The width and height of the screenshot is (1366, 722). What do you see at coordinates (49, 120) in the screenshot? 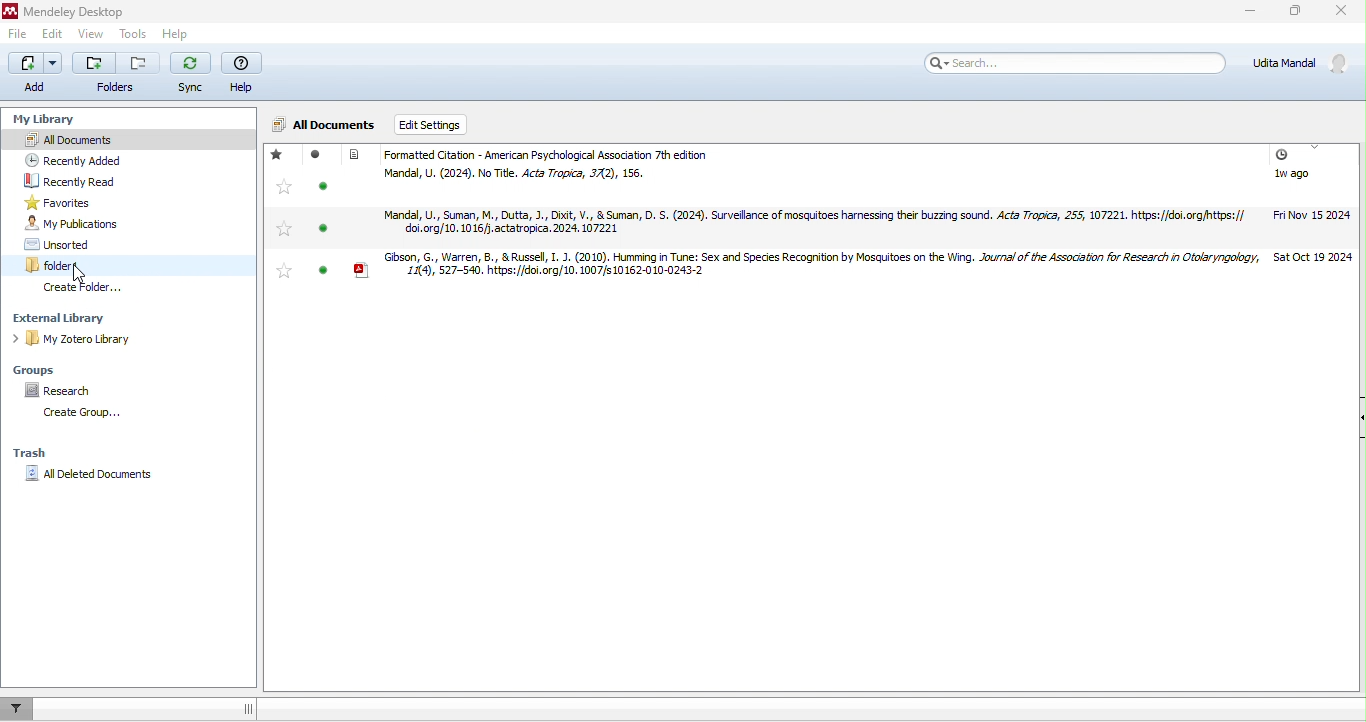
I see `my library` at bounding box center [49, 120].